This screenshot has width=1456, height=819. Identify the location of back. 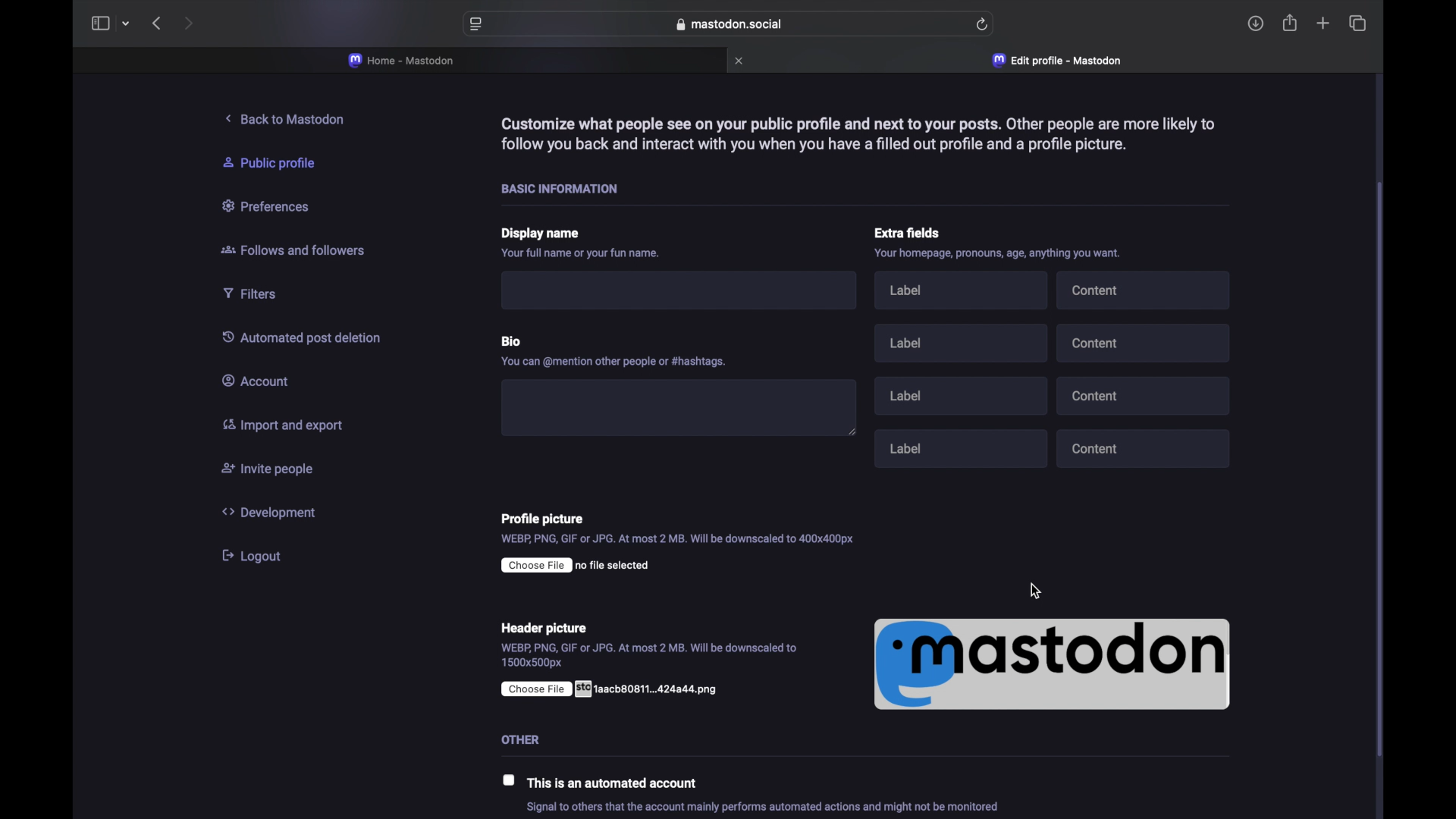
(156, 24).